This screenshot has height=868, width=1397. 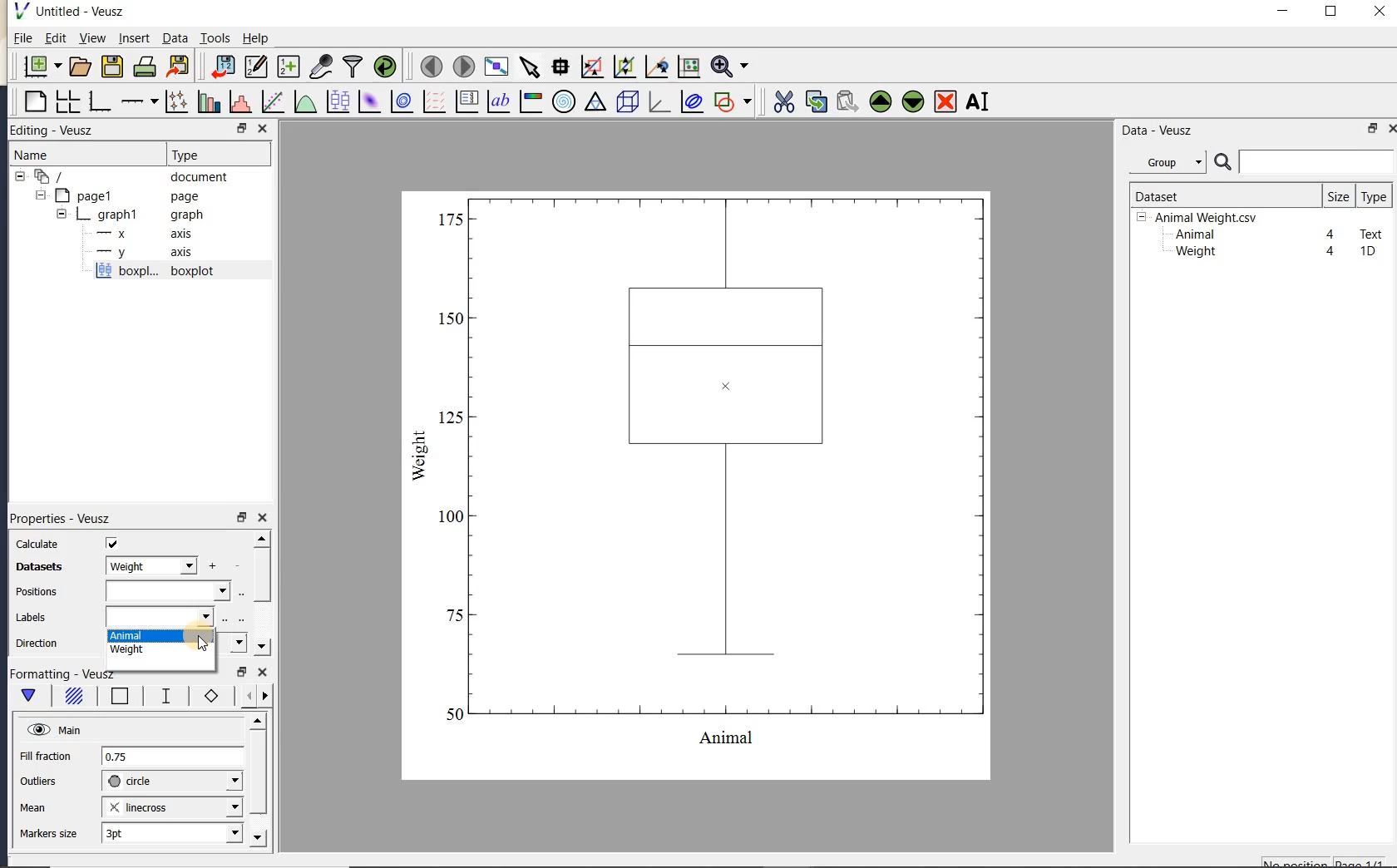 What do you see at coordinates (1304, 162) in the screenshot?
I see `search datasets` at bounding box center [1304, 162].